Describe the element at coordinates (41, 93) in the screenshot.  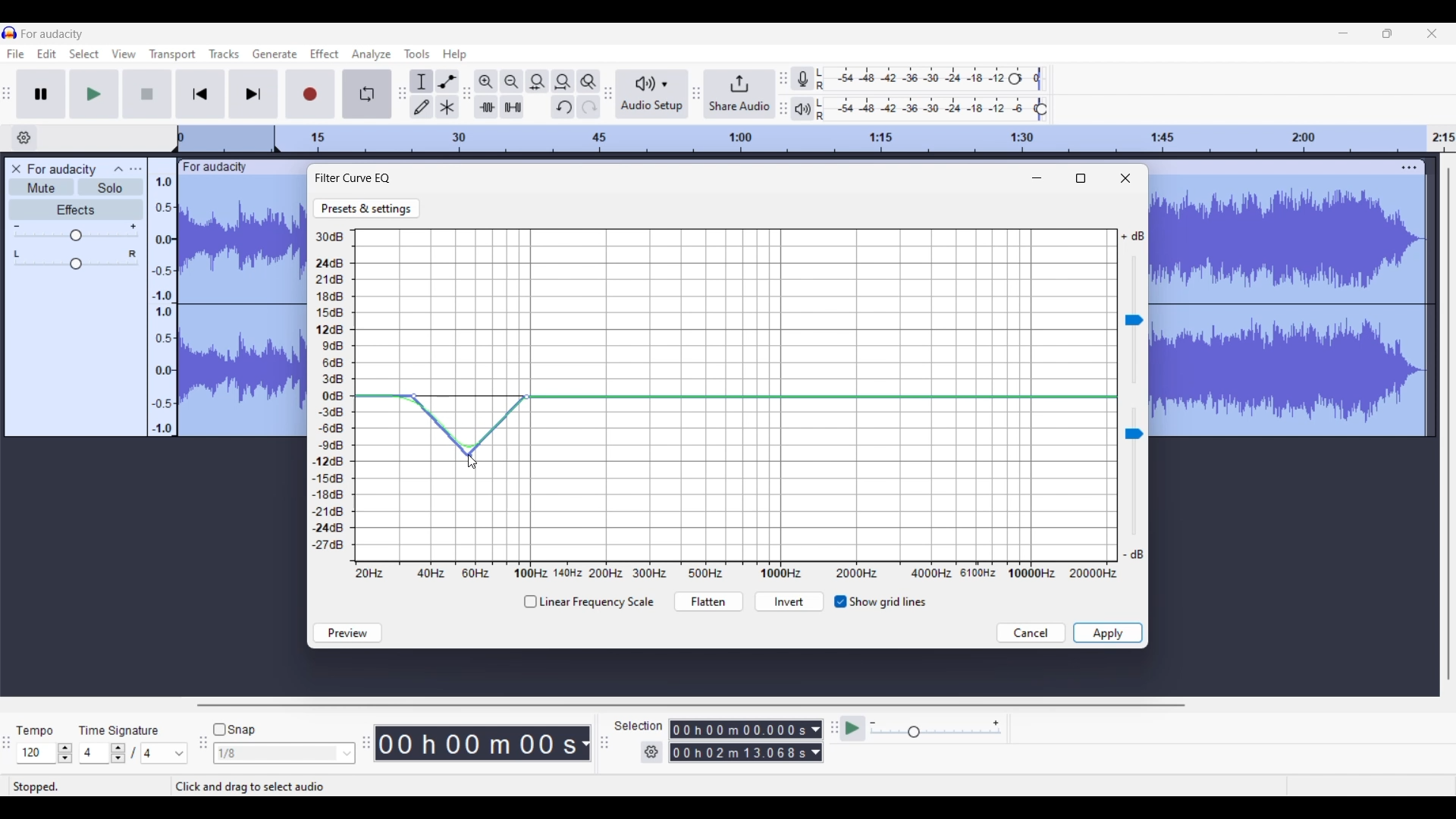
I see `Pause` at that location.